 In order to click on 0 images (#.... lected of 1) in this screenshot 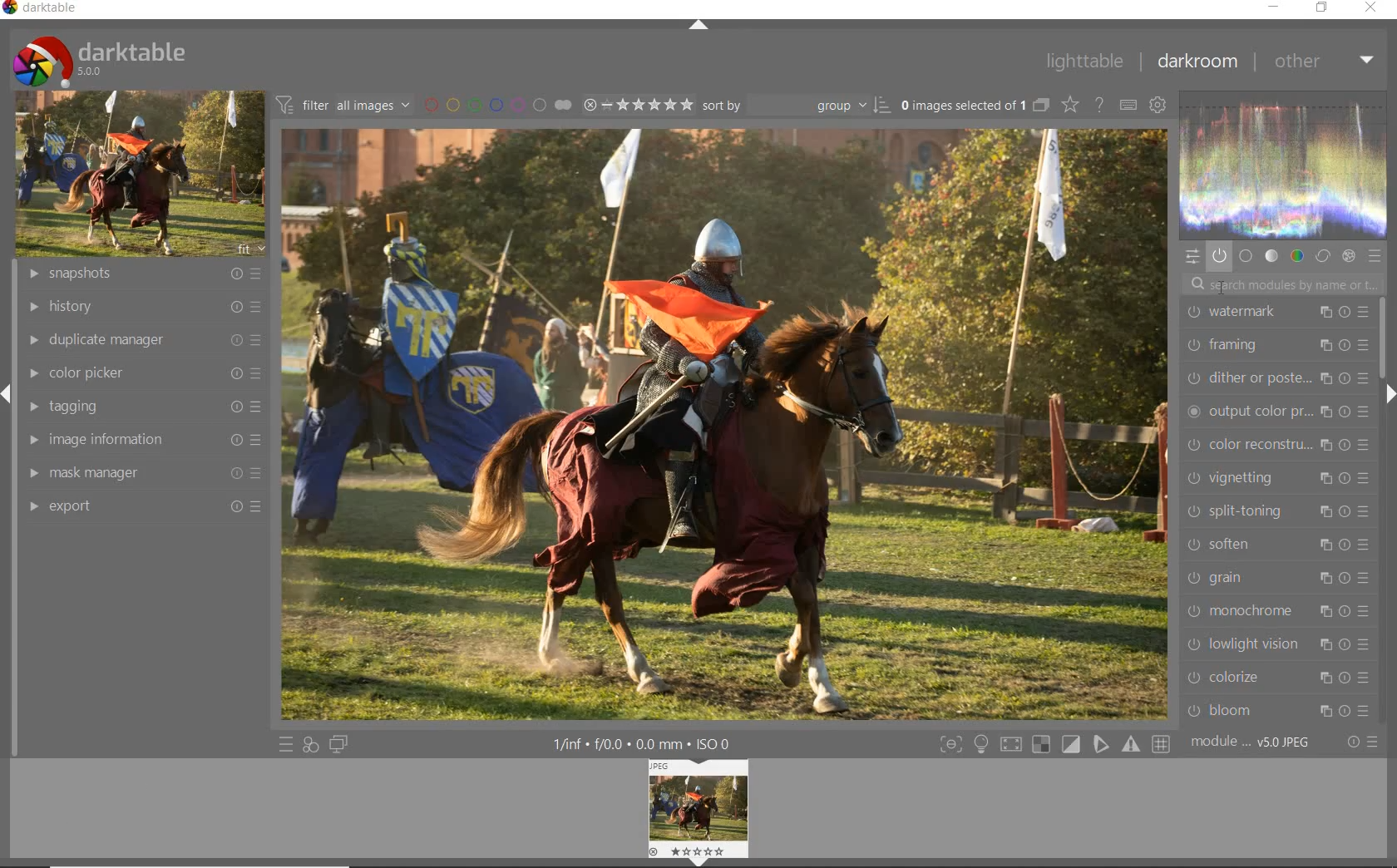, I will do `click(973, 105)`.